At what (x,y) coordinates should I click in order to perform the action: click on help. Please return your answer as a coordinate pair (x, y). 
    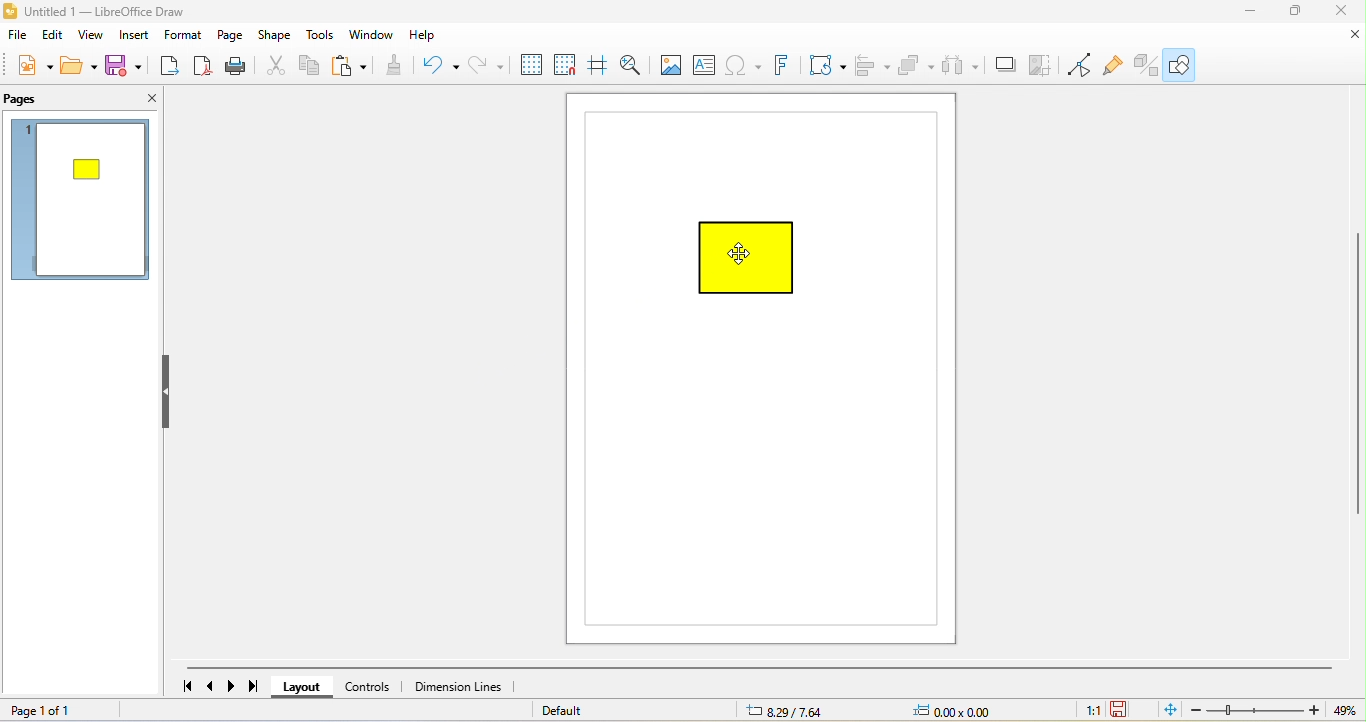
    Looking at the image, I should click on (432, 36).